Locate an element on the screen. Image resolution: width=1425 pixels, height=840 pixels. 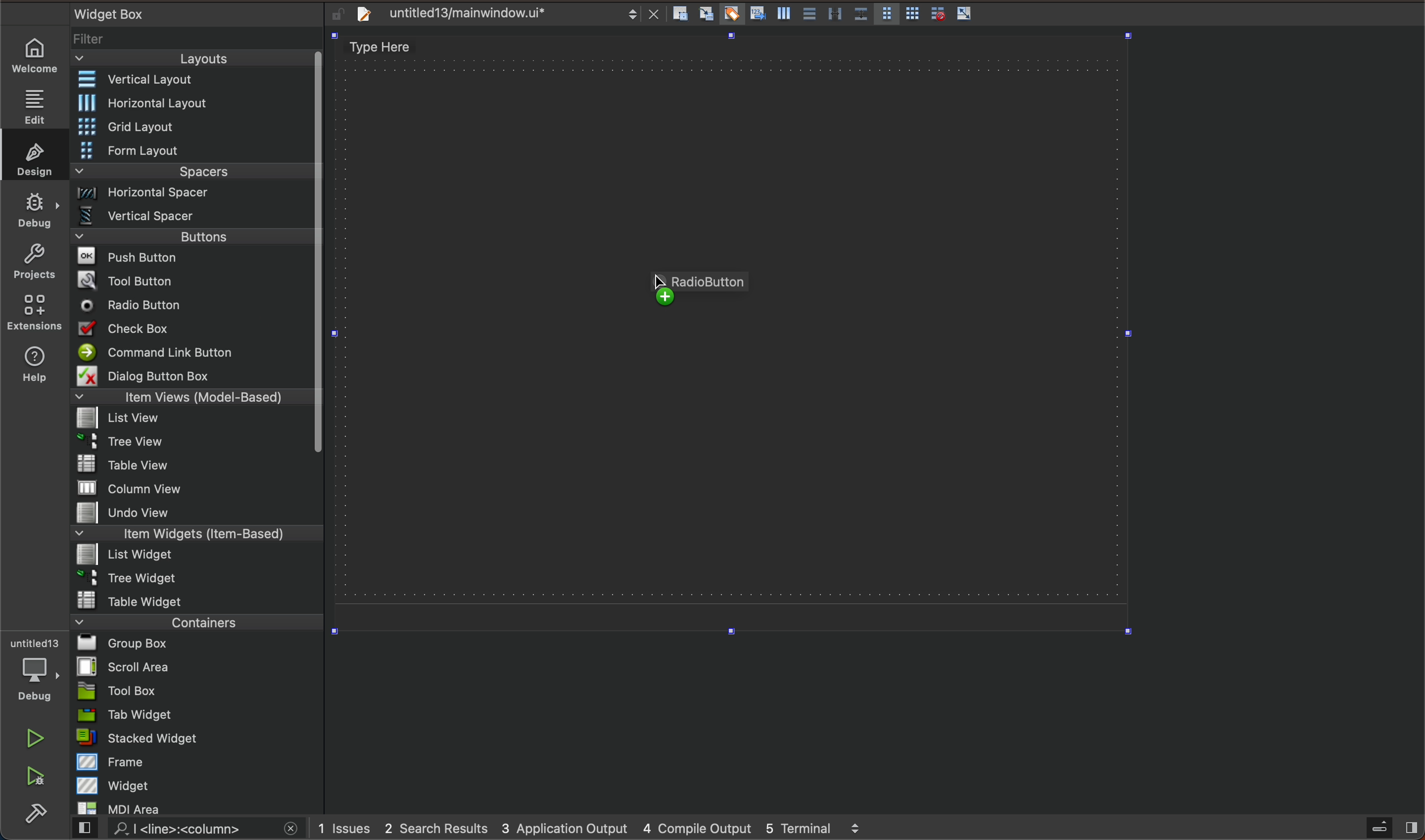
extensions is located at coordinates (33, 312).